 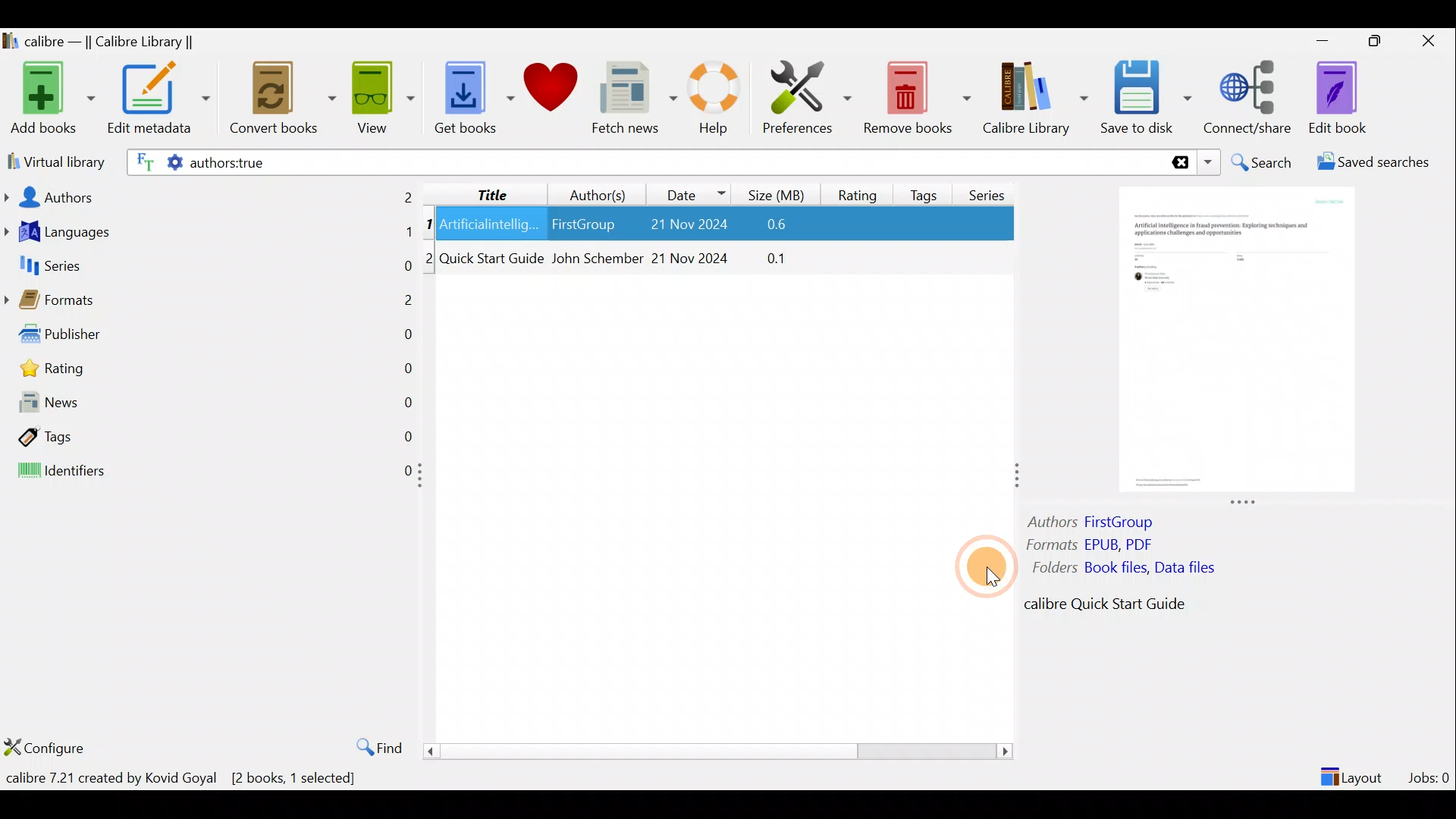 What do you see at coordinates (689, 194) in the screenshot?
I see `Date` at bounding box center [689, 194].